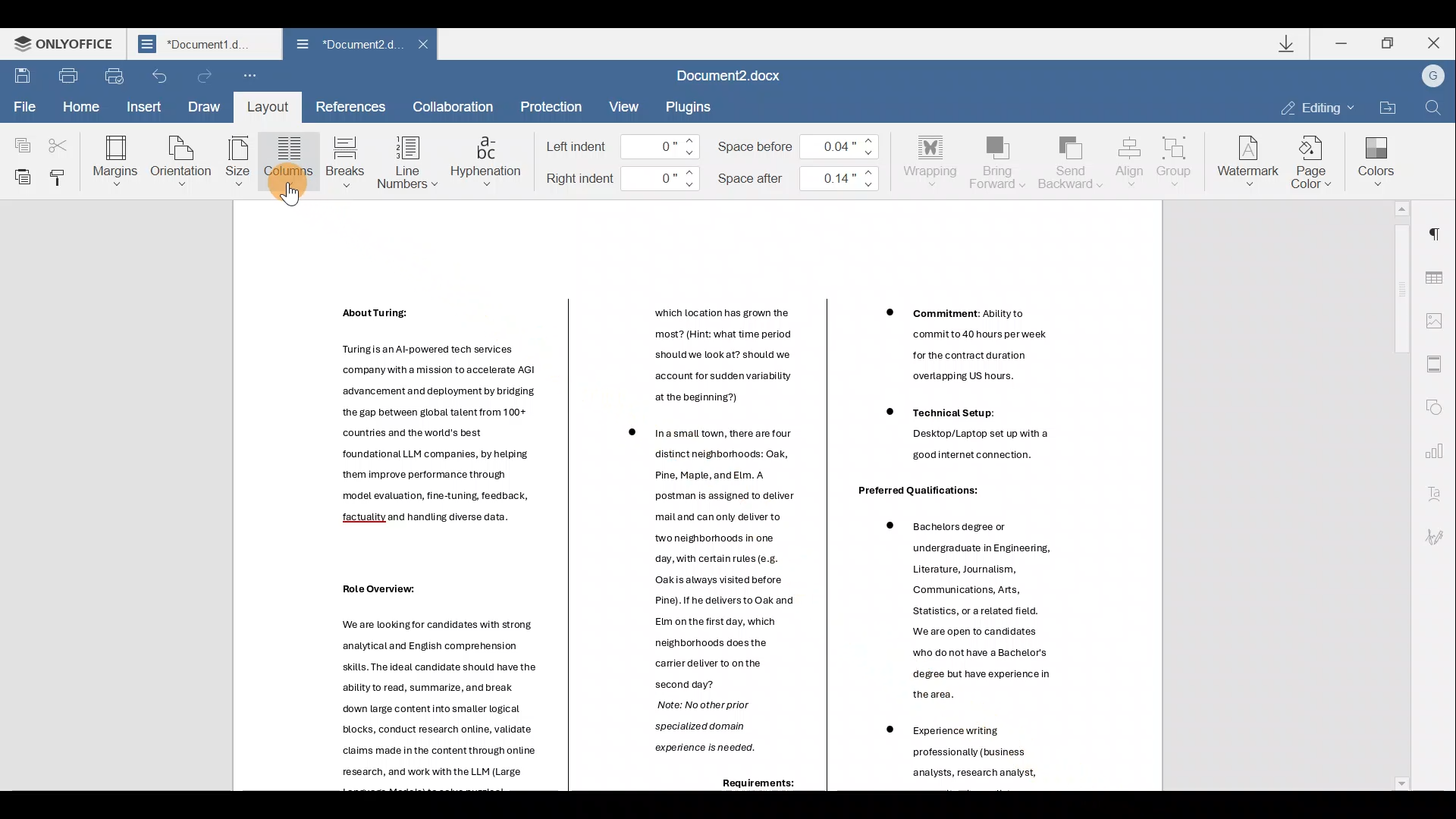 The image size is (1456, 819). What do you see at coordinates (114, 159) in the screenshot?
I see `Margins` at bounding box center [114, 159].